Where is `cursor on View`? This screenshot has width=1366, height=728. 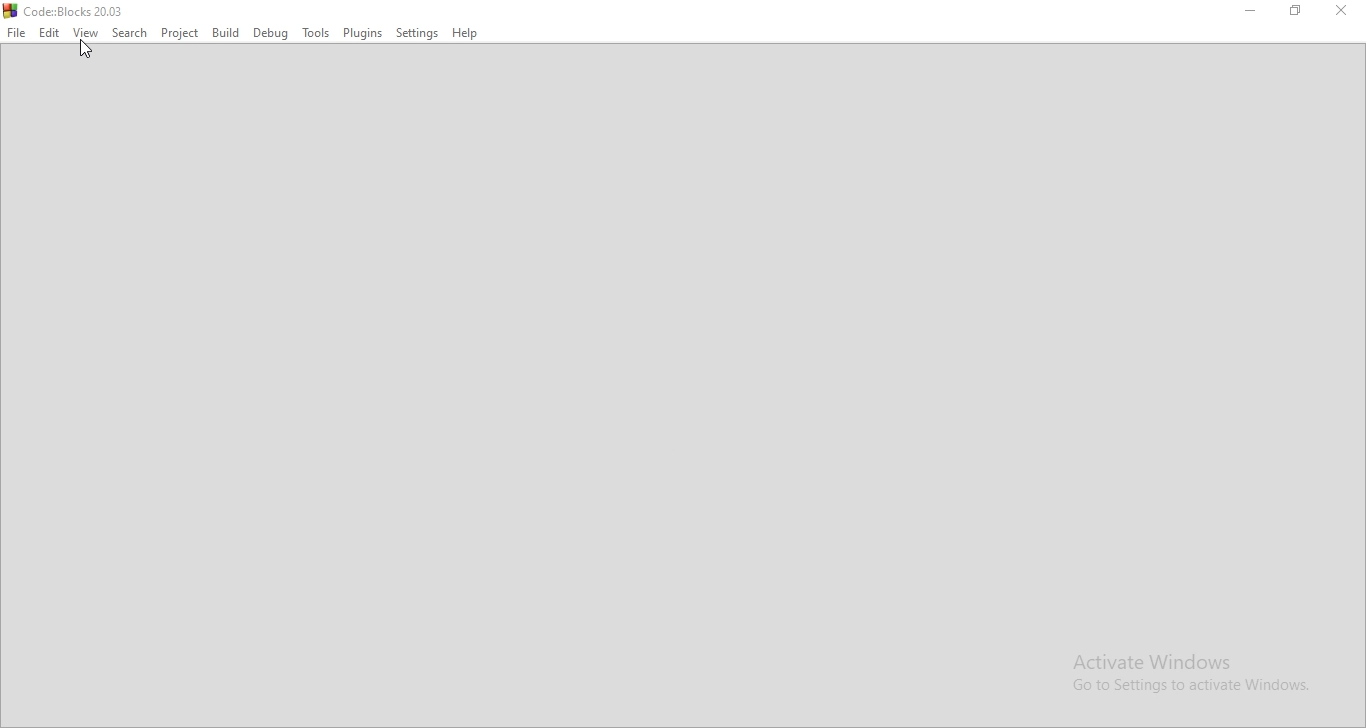 cursor on View is located at coordinates (85, 50).